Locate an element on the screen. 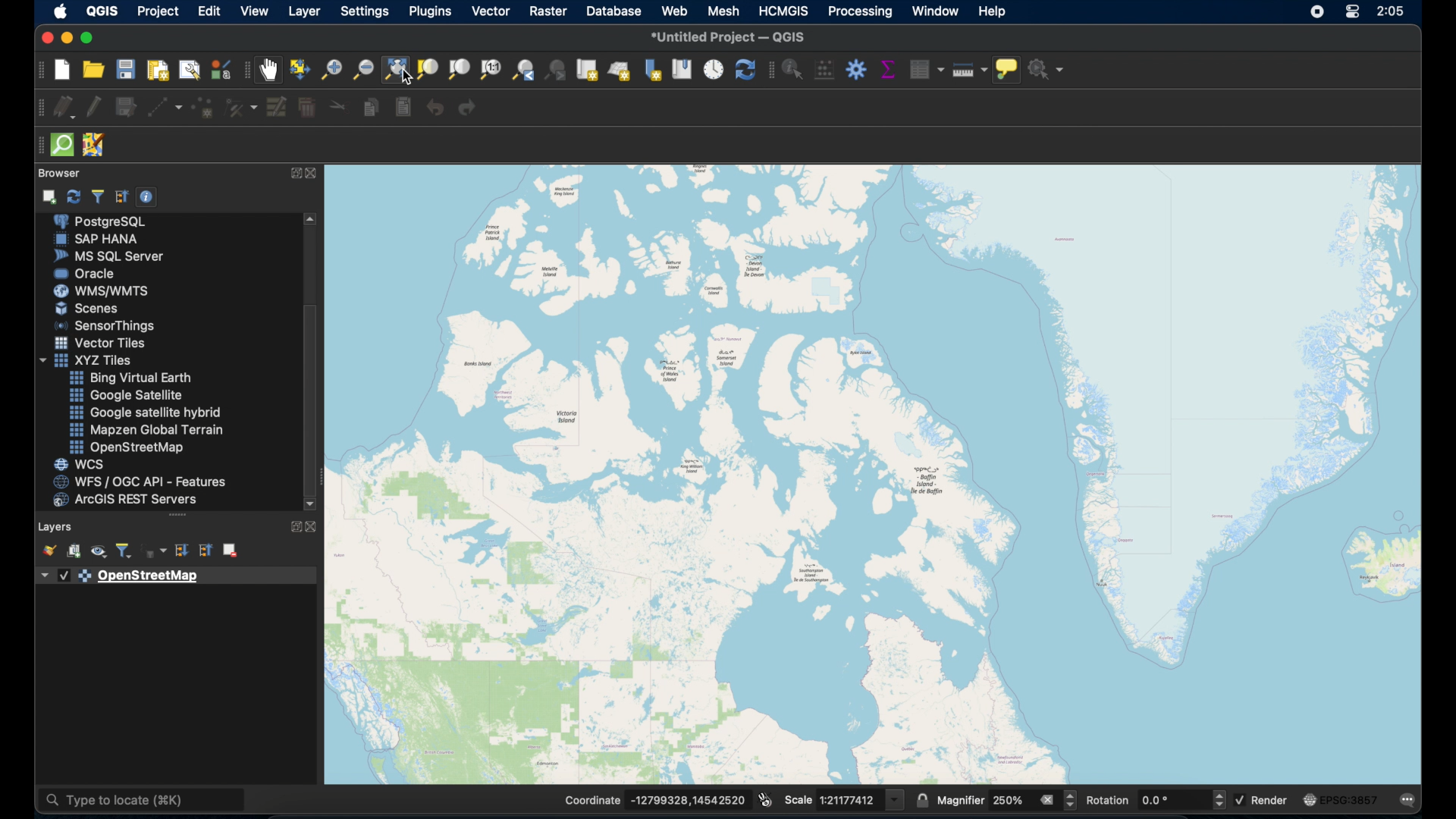 The image size is (1456, 819). JSOM remote is located at coordinates (97, 146).